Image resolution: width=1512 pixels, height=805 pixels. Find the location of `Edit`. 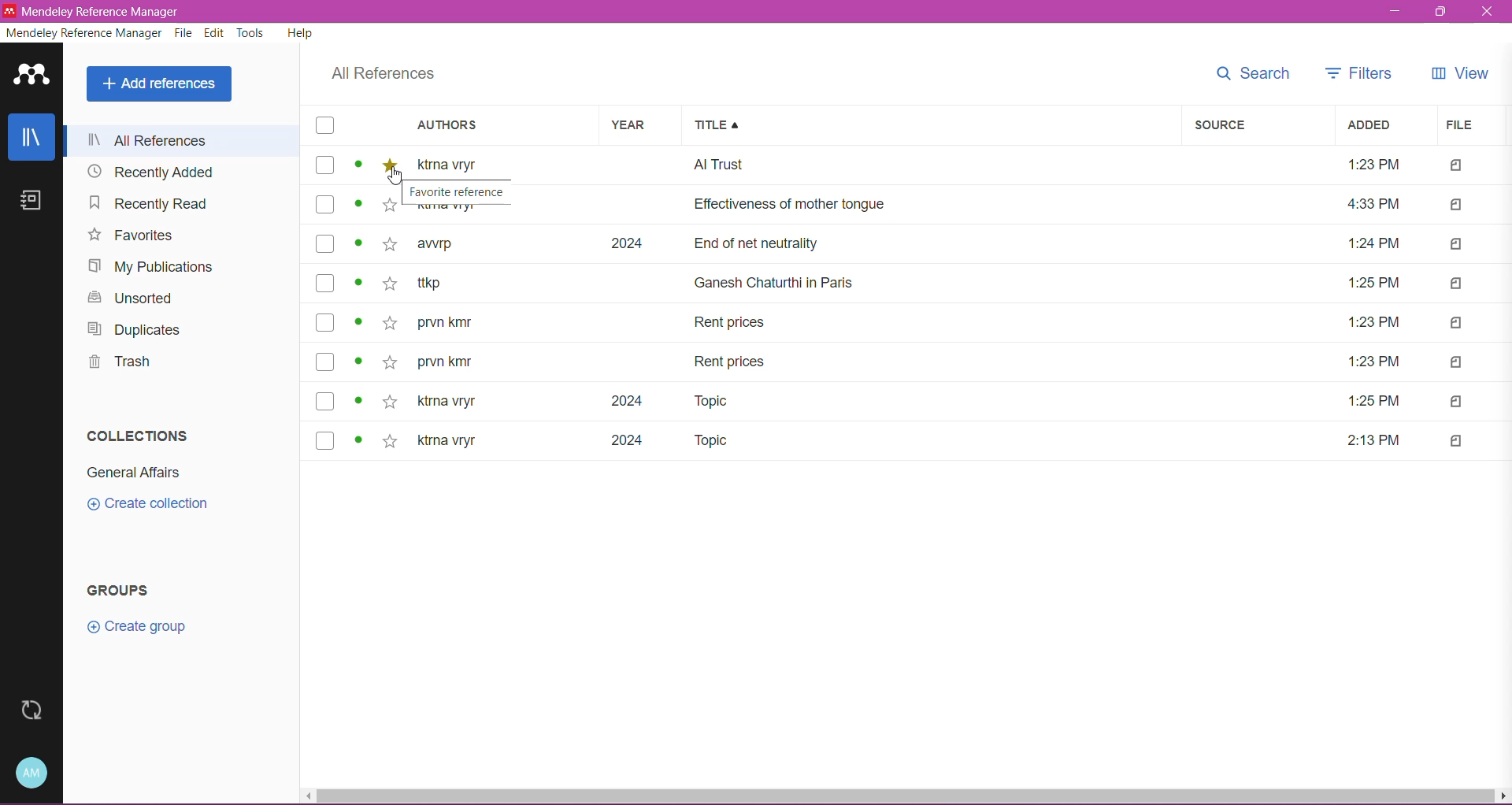

Edit is located at coordinates (215, 34).